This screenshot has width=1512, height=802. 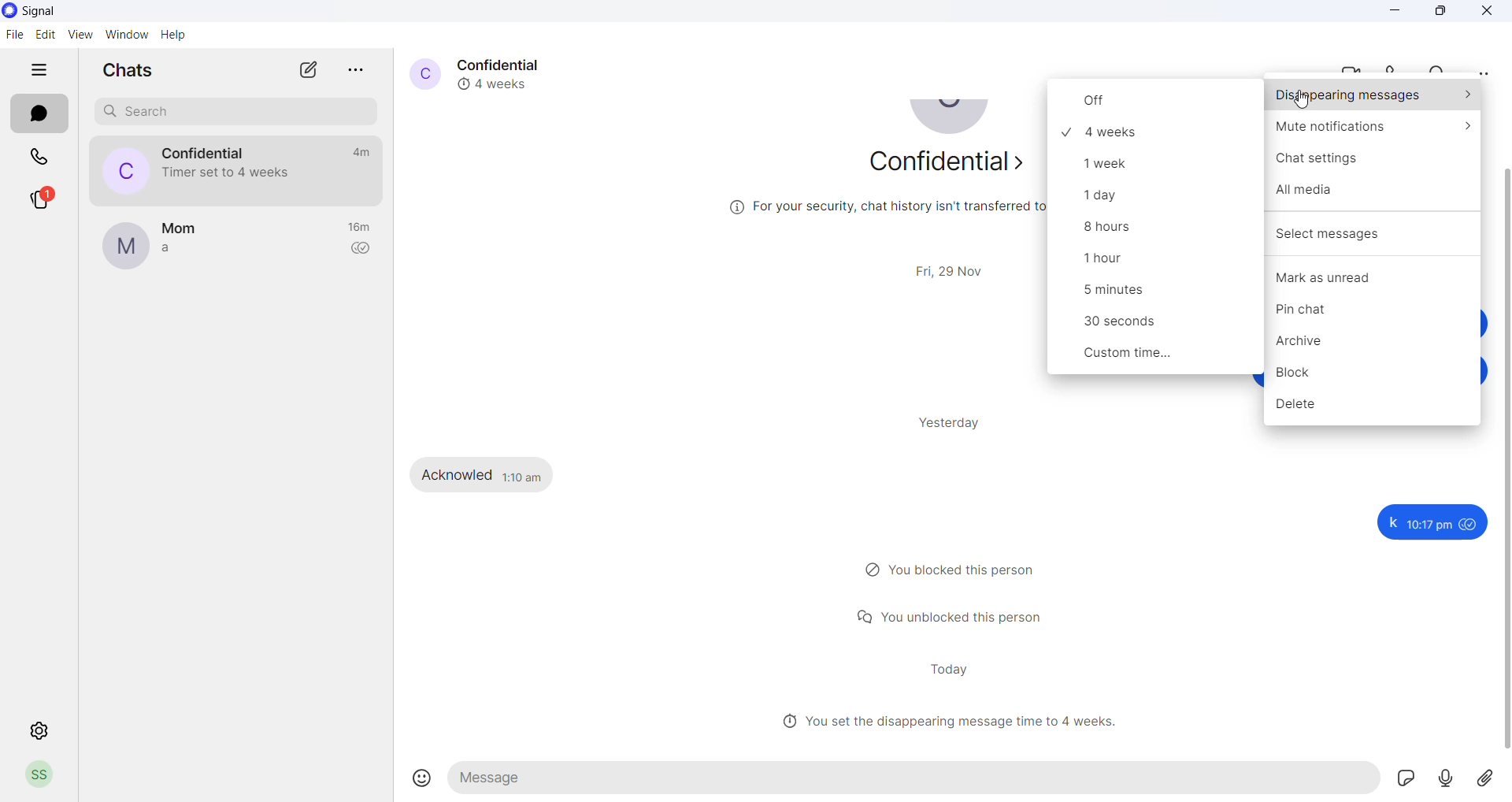 What do you see at coordinates (1488, 12) in the screenshot?
I see `close` at bounding box center [1488, 12].